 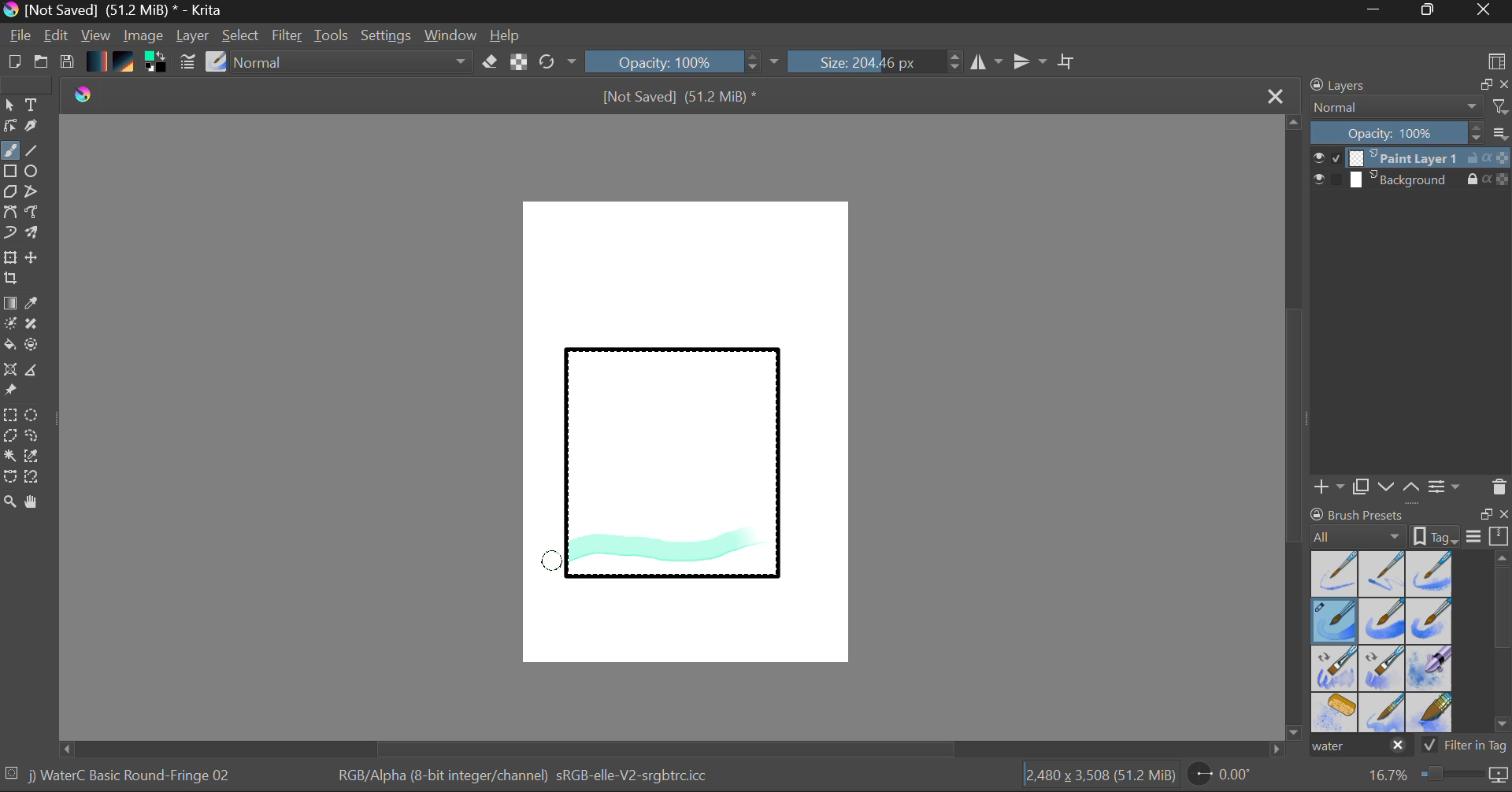 What do you see at coordinates (9, 347) in the screenshot?
I see `Fill` at bounding box center [9, 347].